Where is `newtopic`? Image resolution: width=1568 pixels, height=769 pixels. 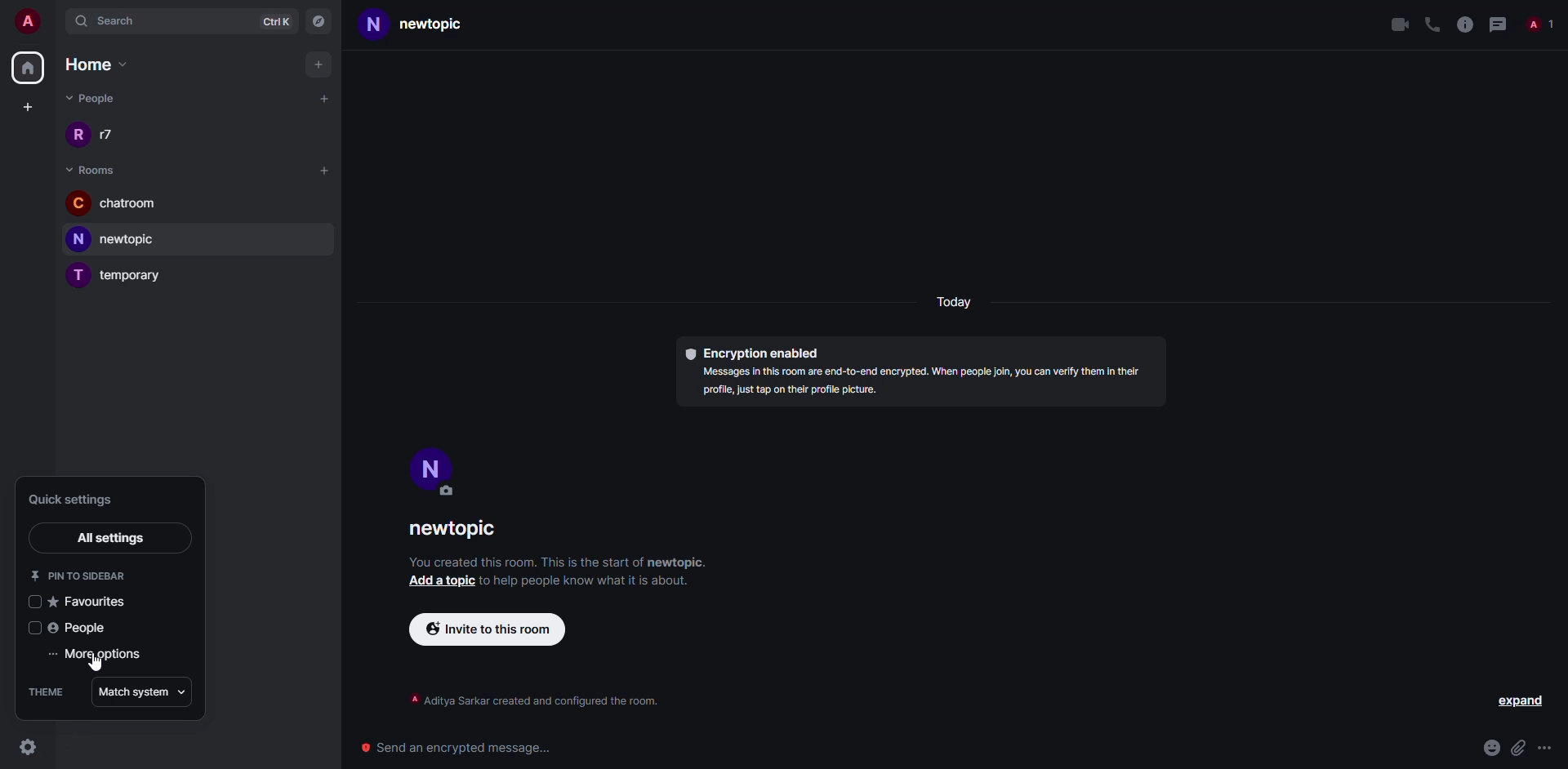
newtopic is located at coordinates (456, 528).